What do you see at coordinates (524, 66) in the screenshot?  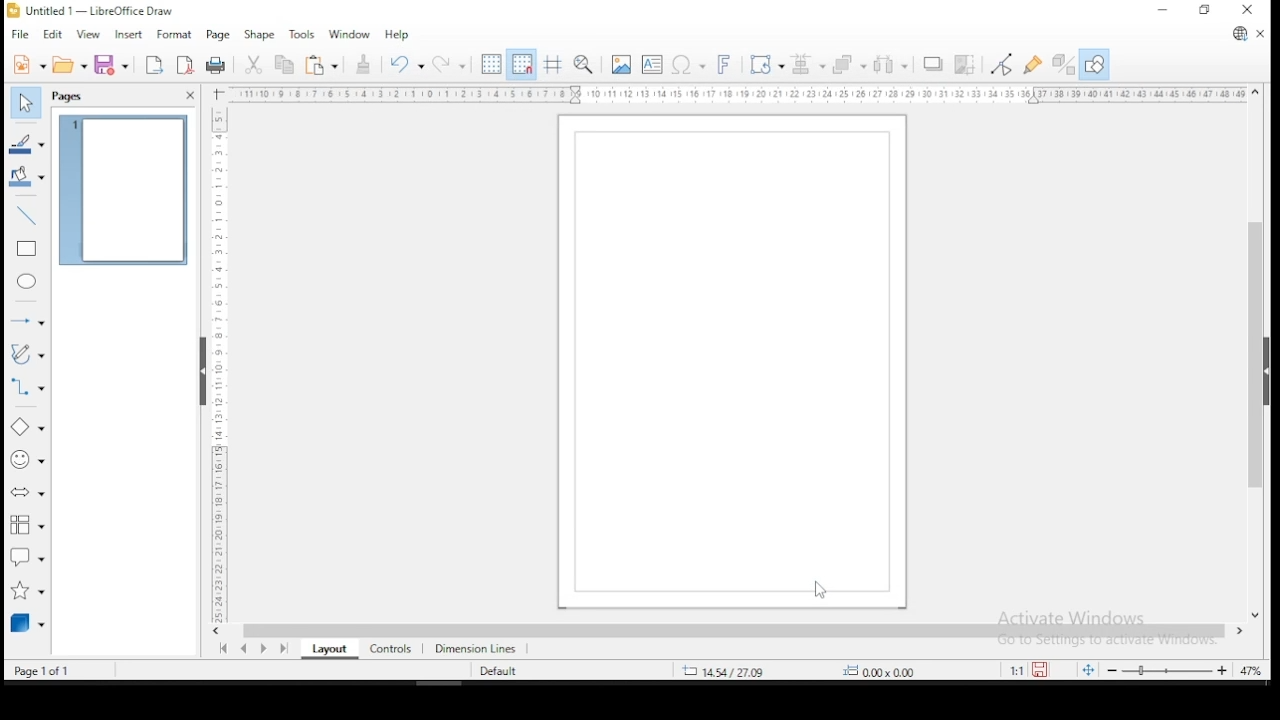 I see `snap to grids` at bounding box center [524, 66].